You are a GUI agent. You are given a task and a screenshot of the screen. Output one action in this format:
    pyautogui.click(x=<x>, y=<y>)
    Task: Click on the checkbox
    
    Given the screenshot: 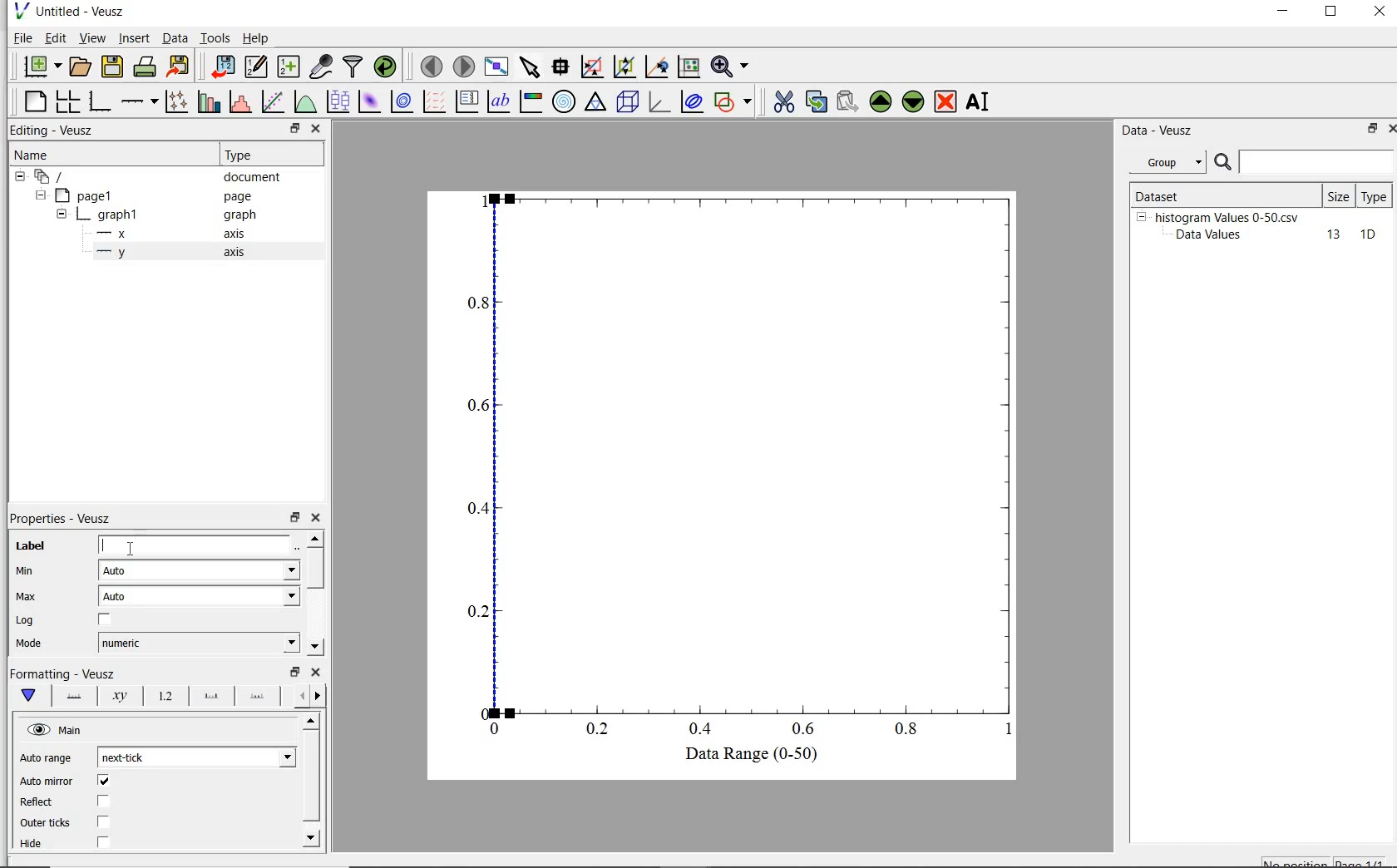 What is the action you would take?
    pyautogui.click(x=104, y=782)
    